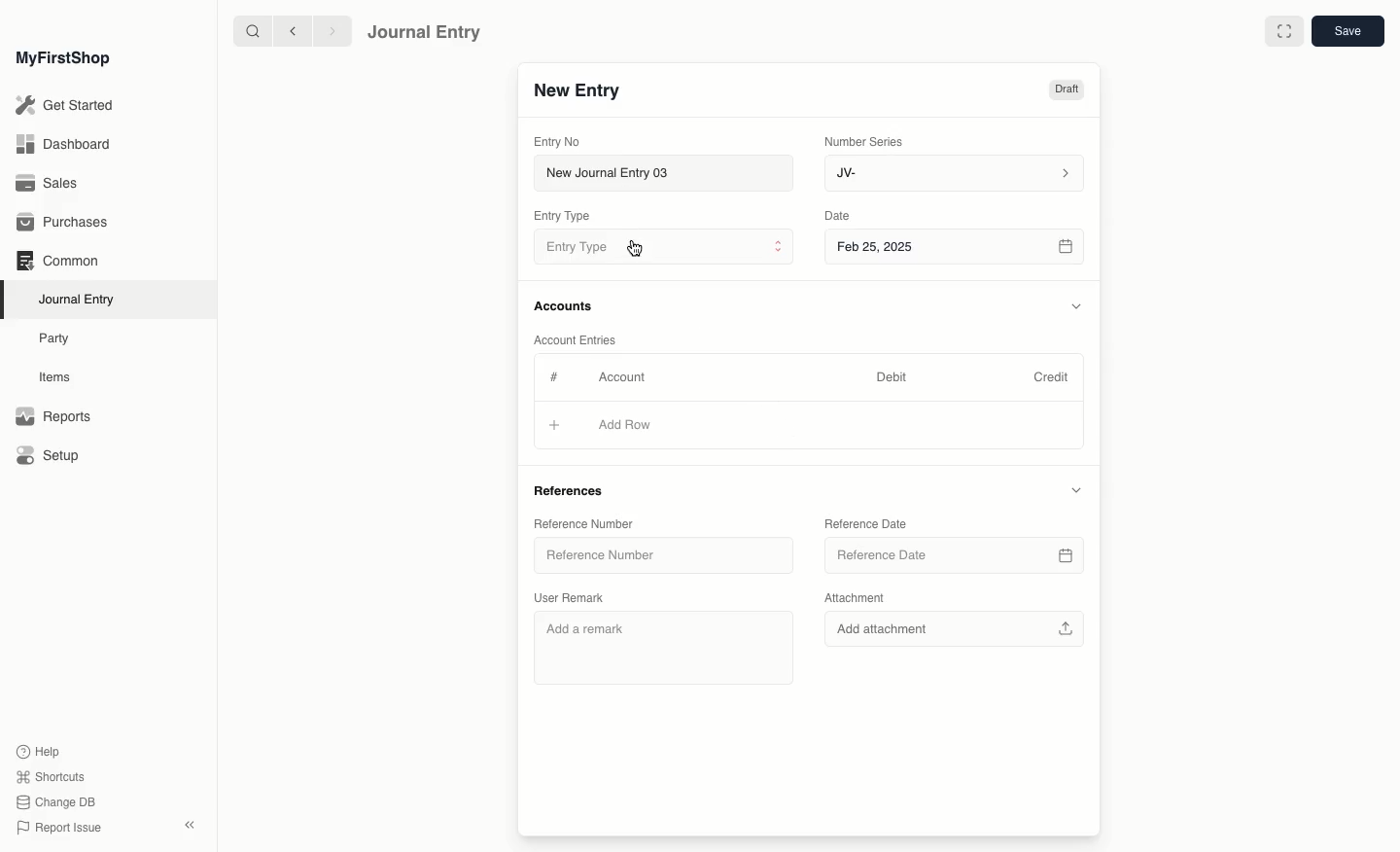  I want to click on Reference Number, so click(662, 558).